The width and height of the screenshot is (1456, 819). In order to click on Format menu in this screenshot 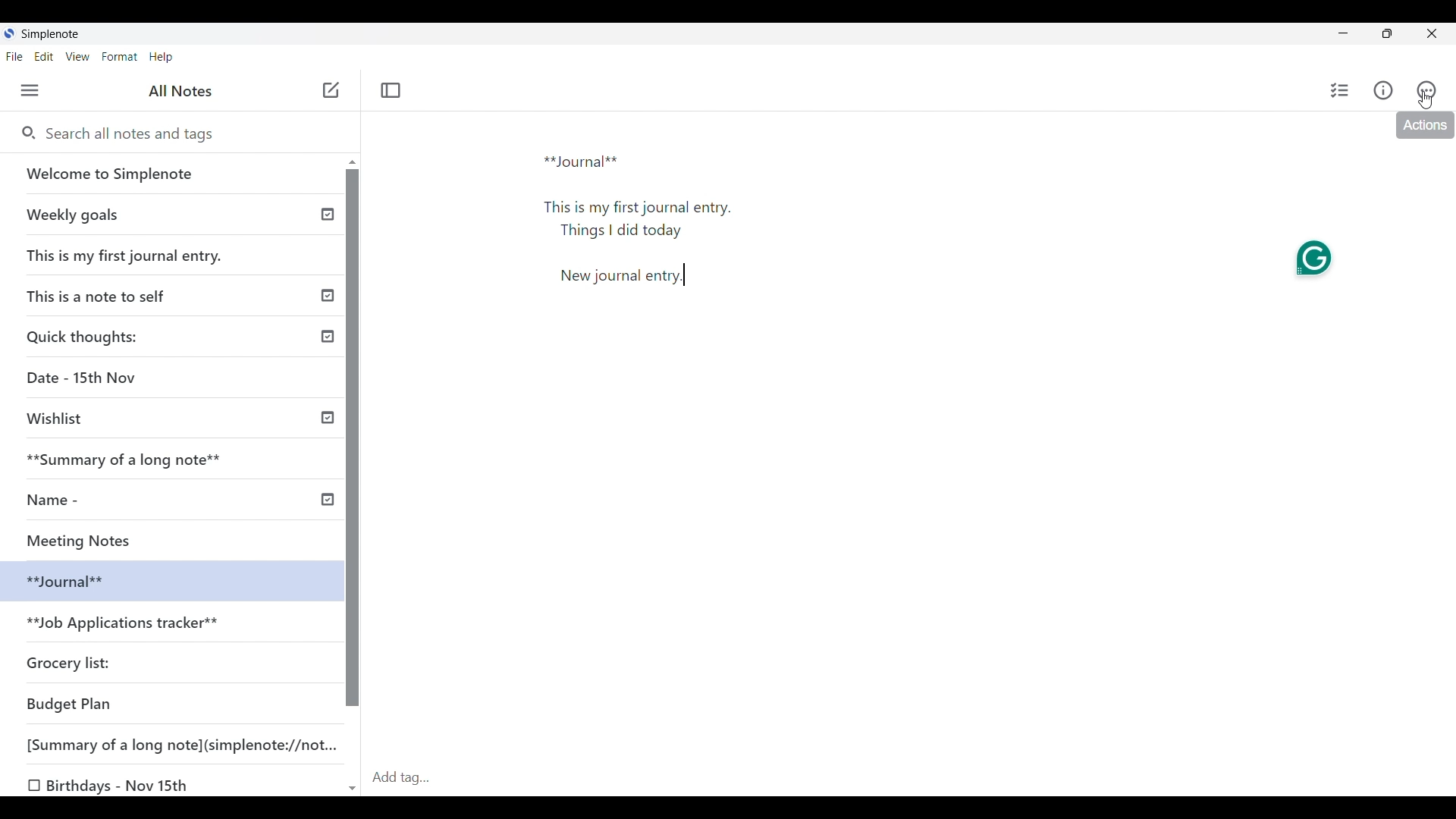, I will do `click(121, 57)`.